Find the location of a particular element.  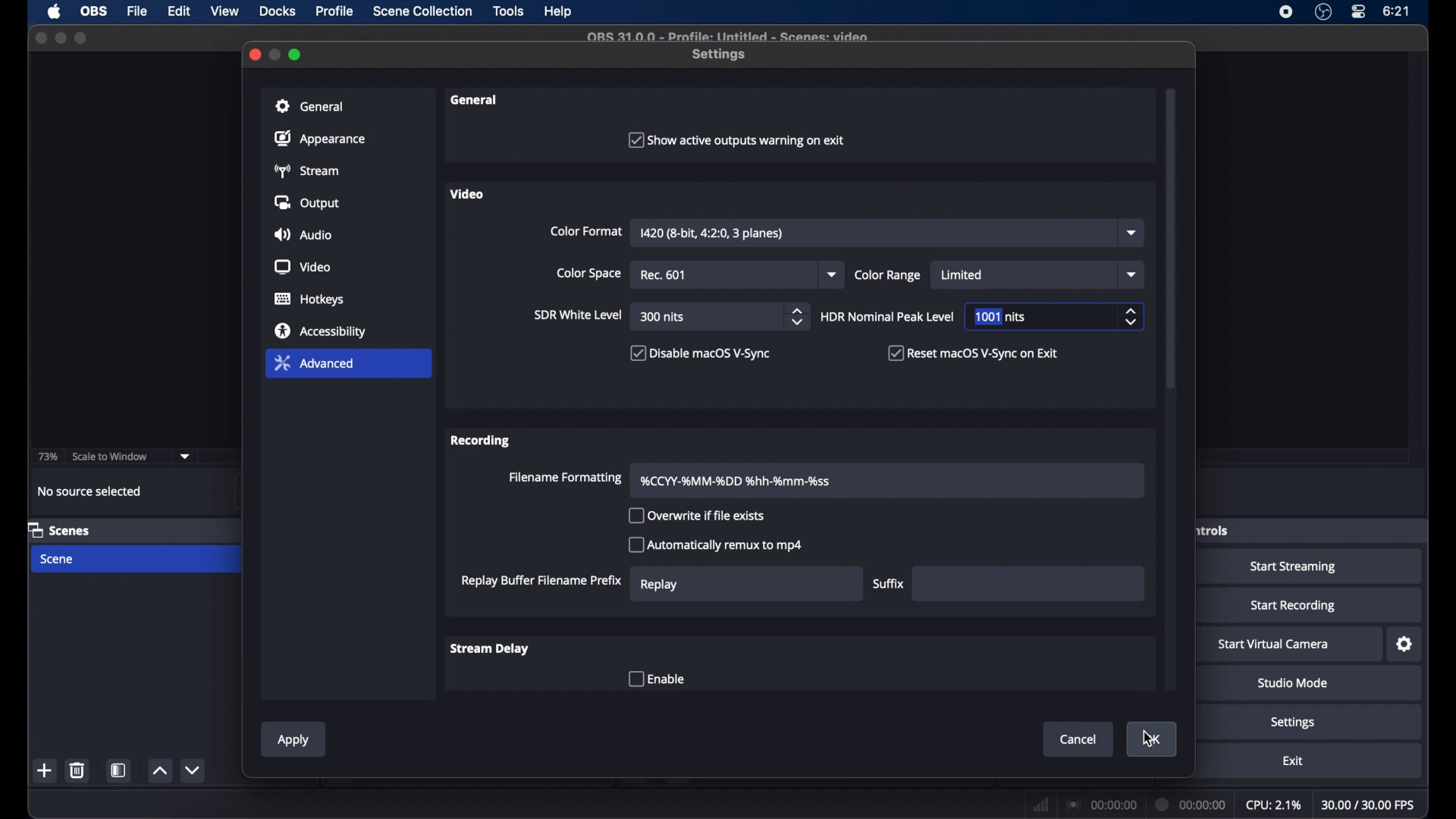

close is located at coordinates (40, 37).